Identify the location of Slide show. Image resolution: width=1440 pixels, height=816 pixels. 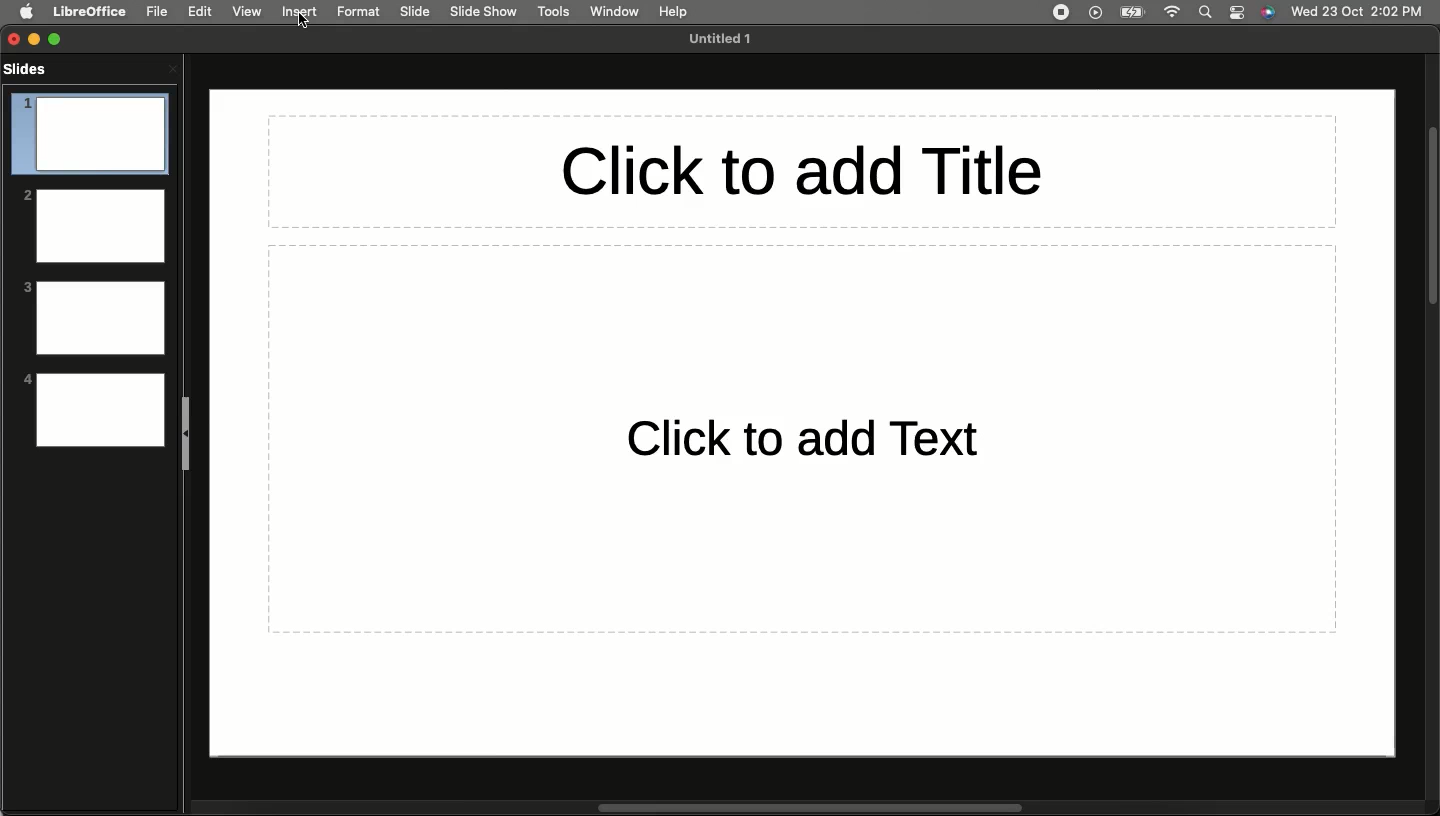
(486, 12).